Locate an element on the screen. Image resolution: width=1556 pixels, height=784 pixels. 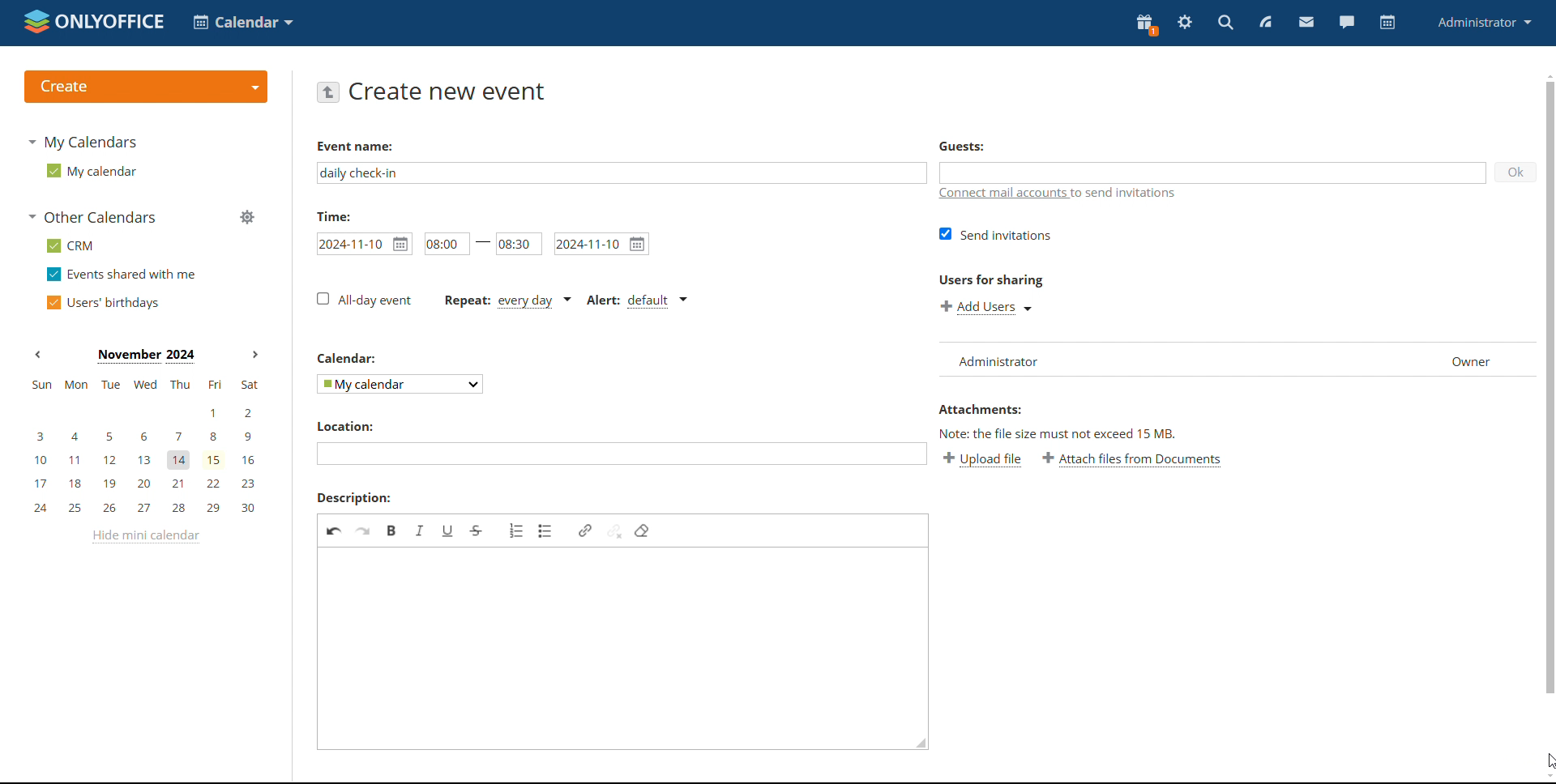
other calendars is located at coordinates (91, 219).